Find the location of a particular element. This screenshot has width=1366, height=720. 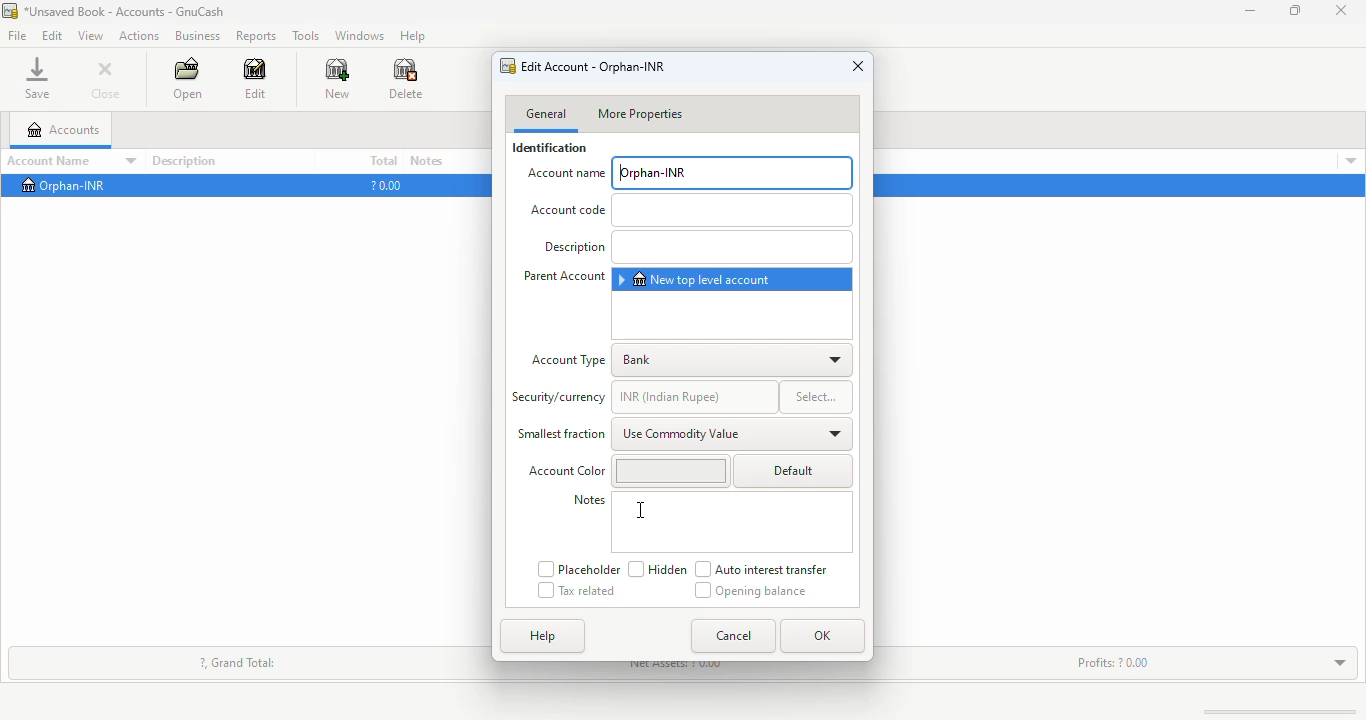

business is located at coordinates (196, 36).